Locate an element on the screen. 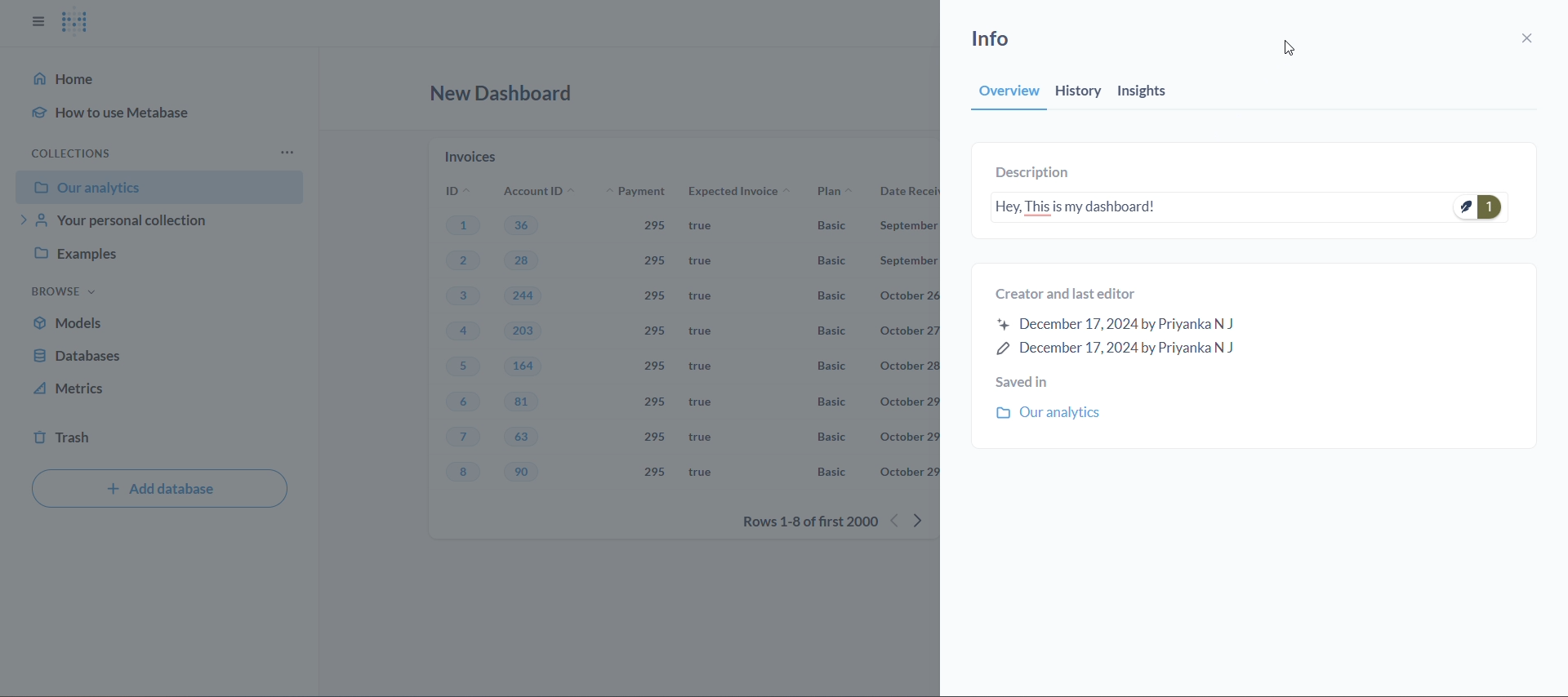  october 26 is located at coordinates (909, 295).